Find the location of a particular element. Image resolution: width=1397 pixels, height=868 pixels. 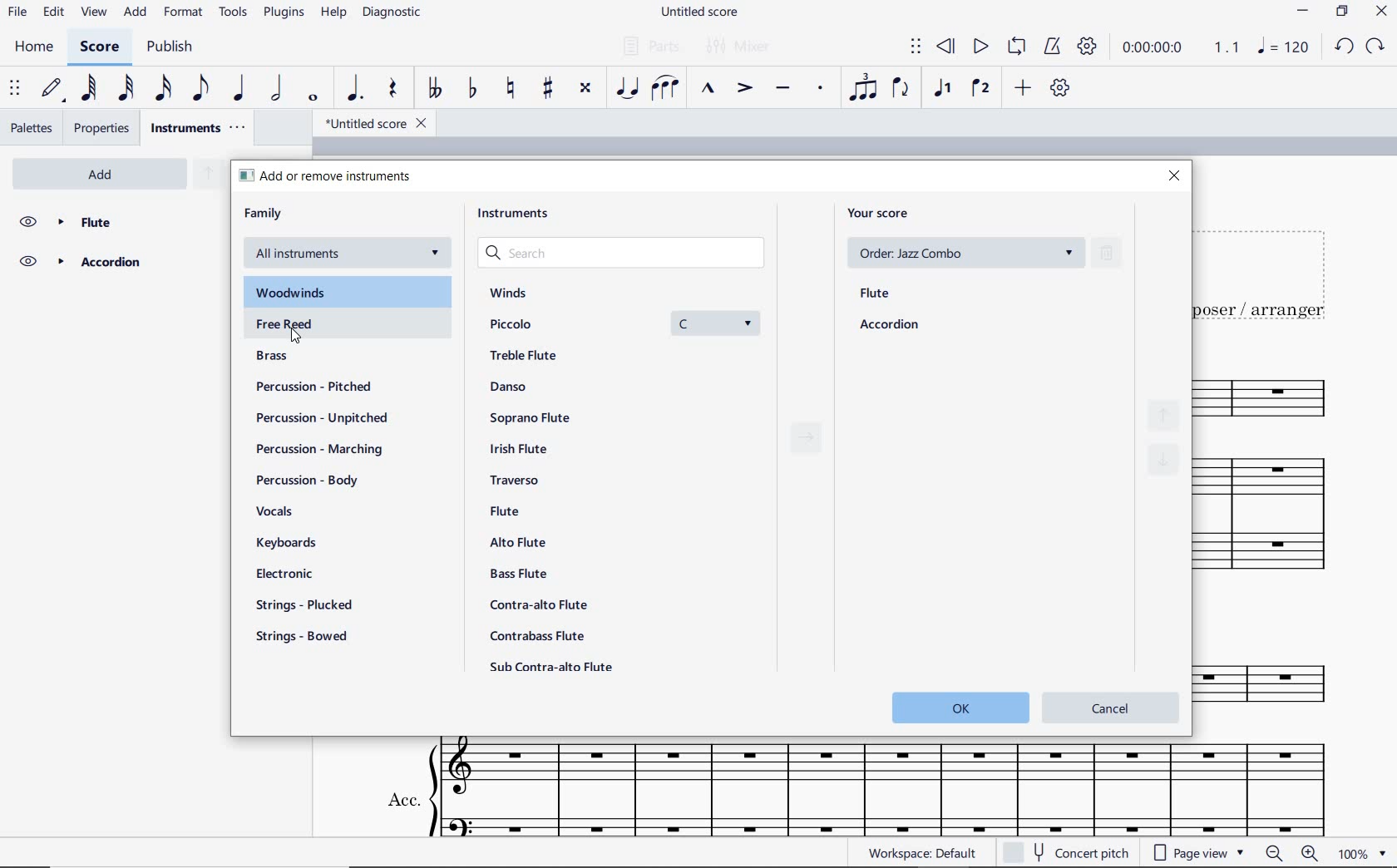

your score is located at coordinates (881, 214).